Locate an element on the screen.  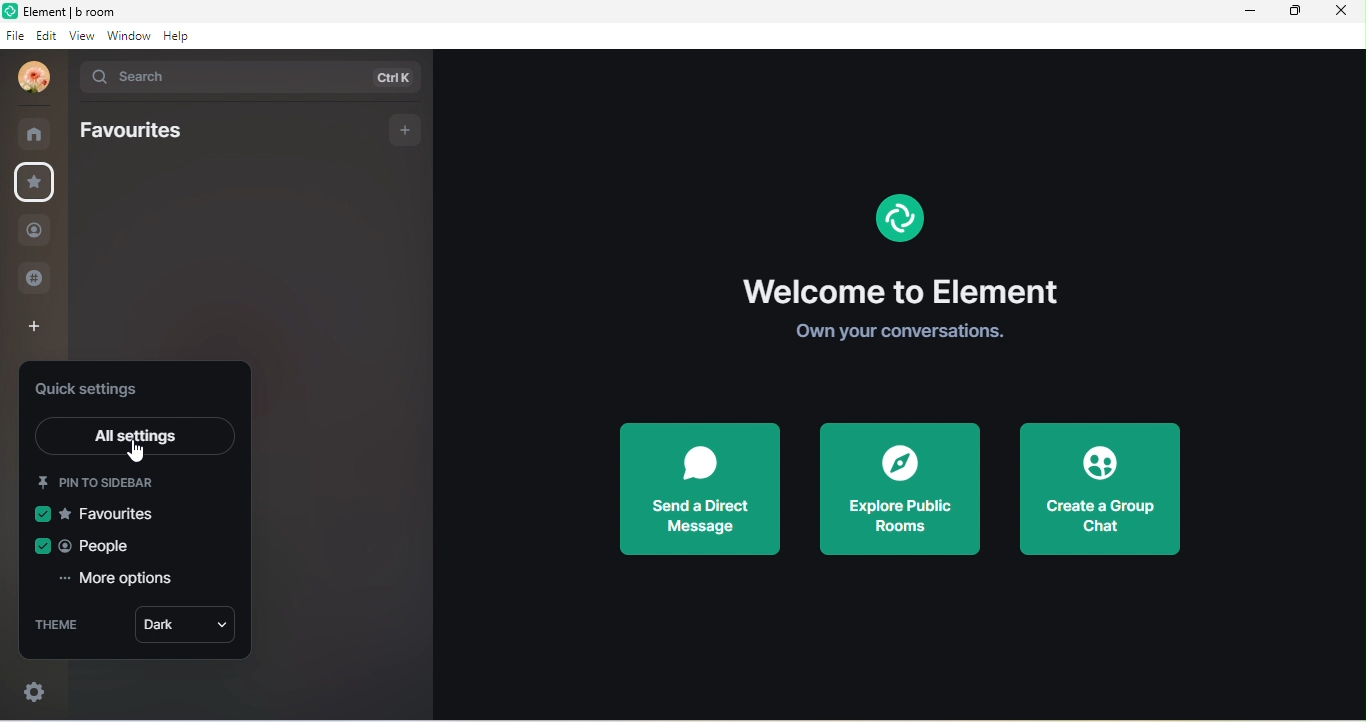
people is located at coordinates (87, 545).